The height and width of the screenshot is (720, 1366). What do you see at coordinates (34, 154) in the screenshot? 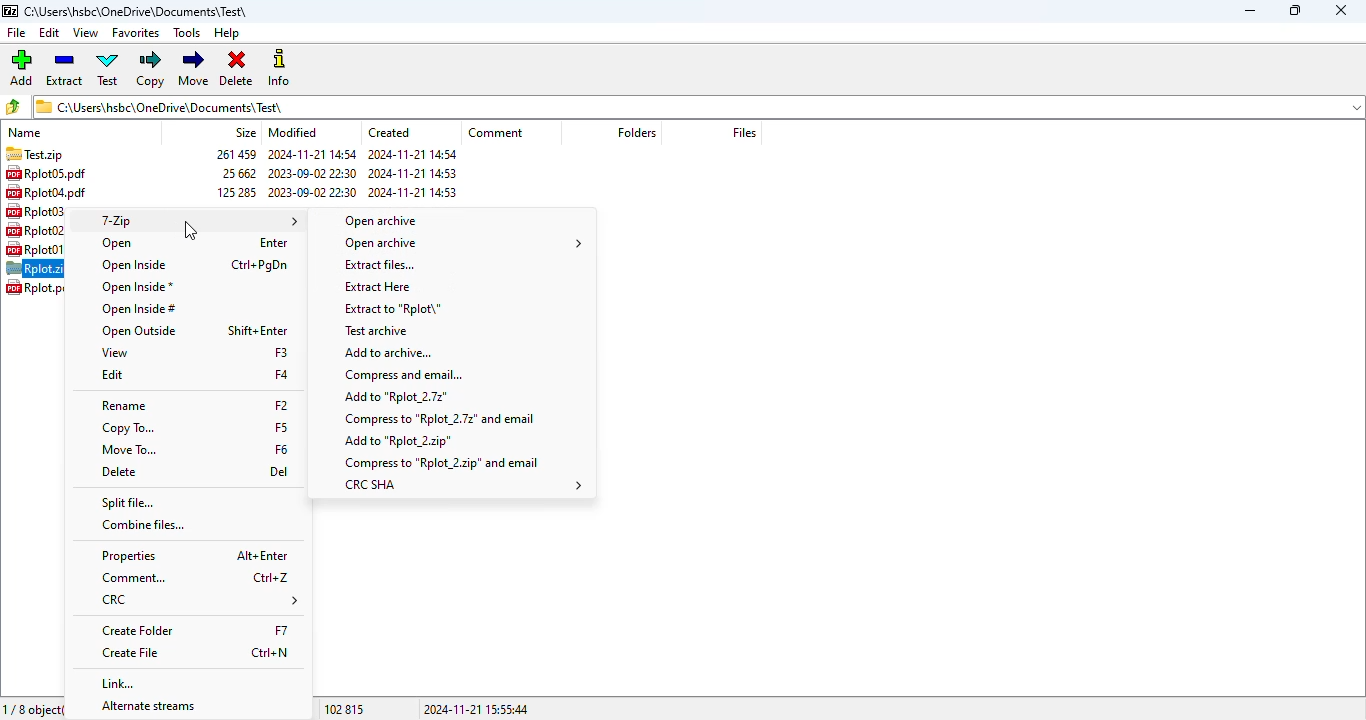
I see `Test.zip` at bounding box center [34, 154].